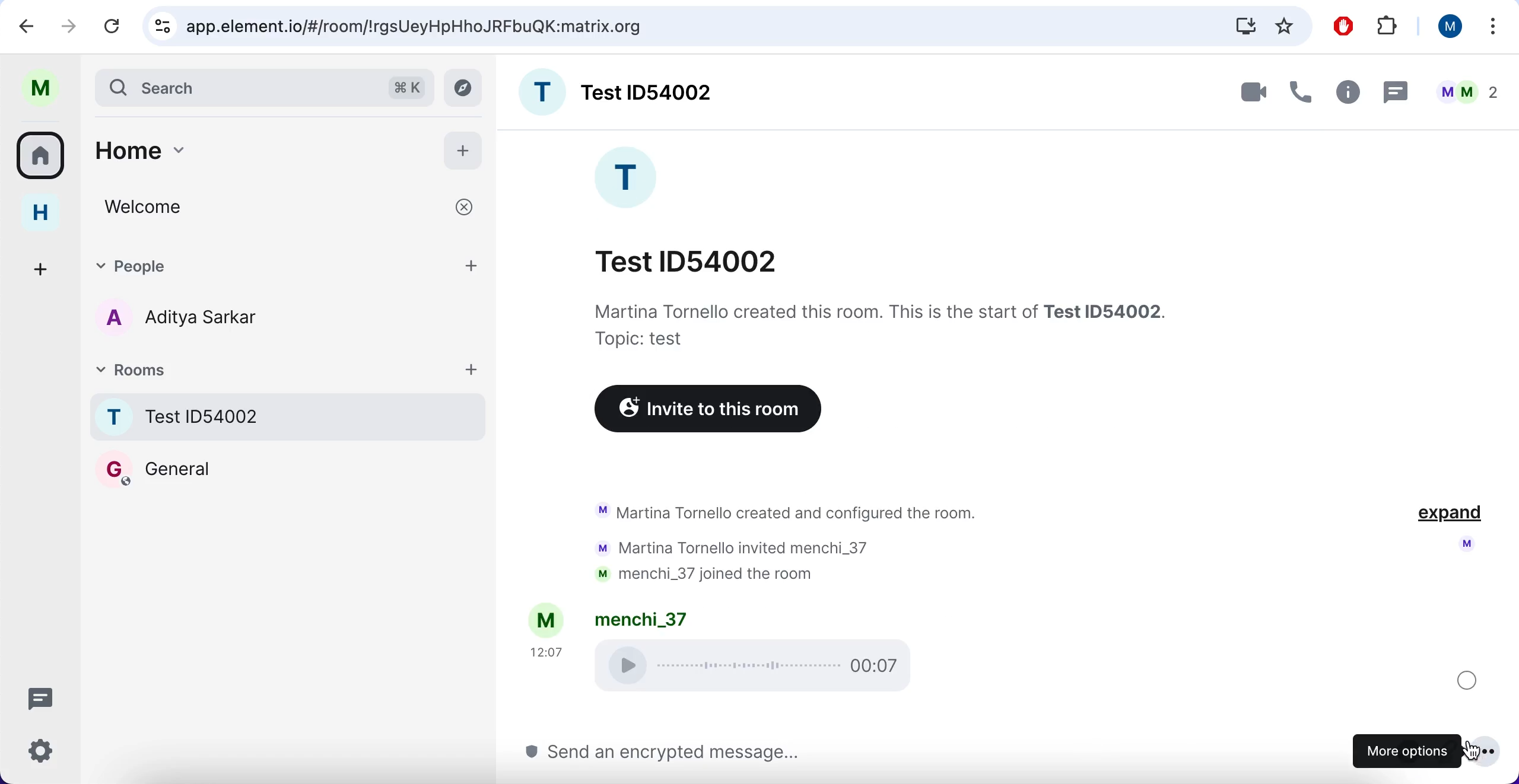  What do you see at coordinates (761, 667) in the screenshot?
I see `sent audio` at bounding box center [761, 667].